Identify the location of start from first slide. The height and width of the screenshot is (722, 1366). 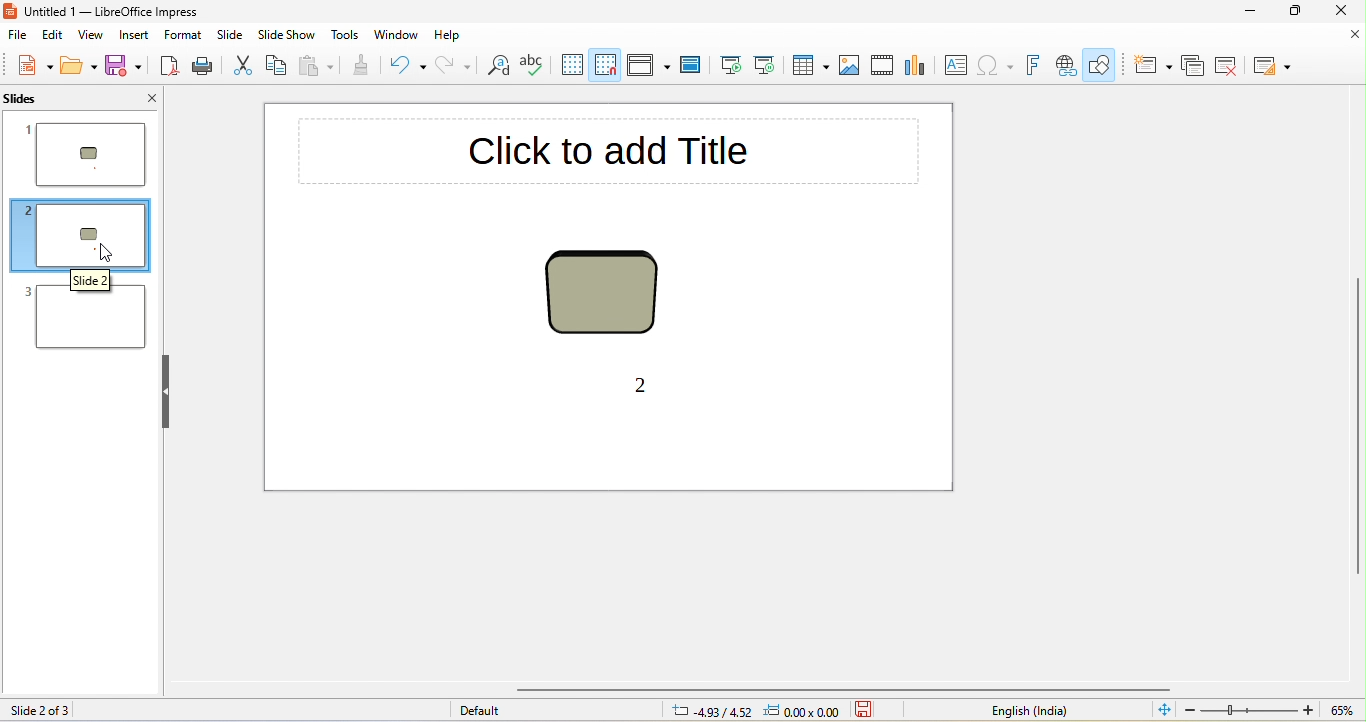
(733, 65).